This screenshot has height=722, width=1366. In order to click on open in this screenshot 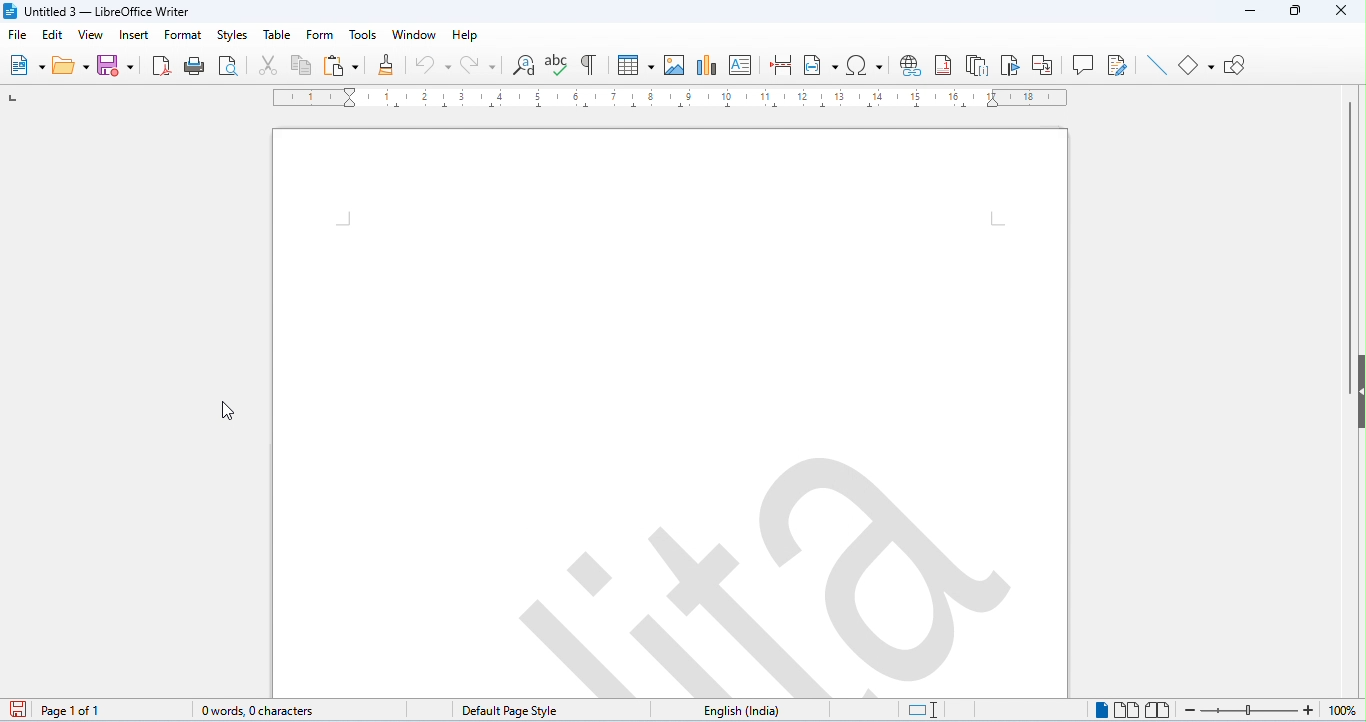, I will do `click(71, 65)`.